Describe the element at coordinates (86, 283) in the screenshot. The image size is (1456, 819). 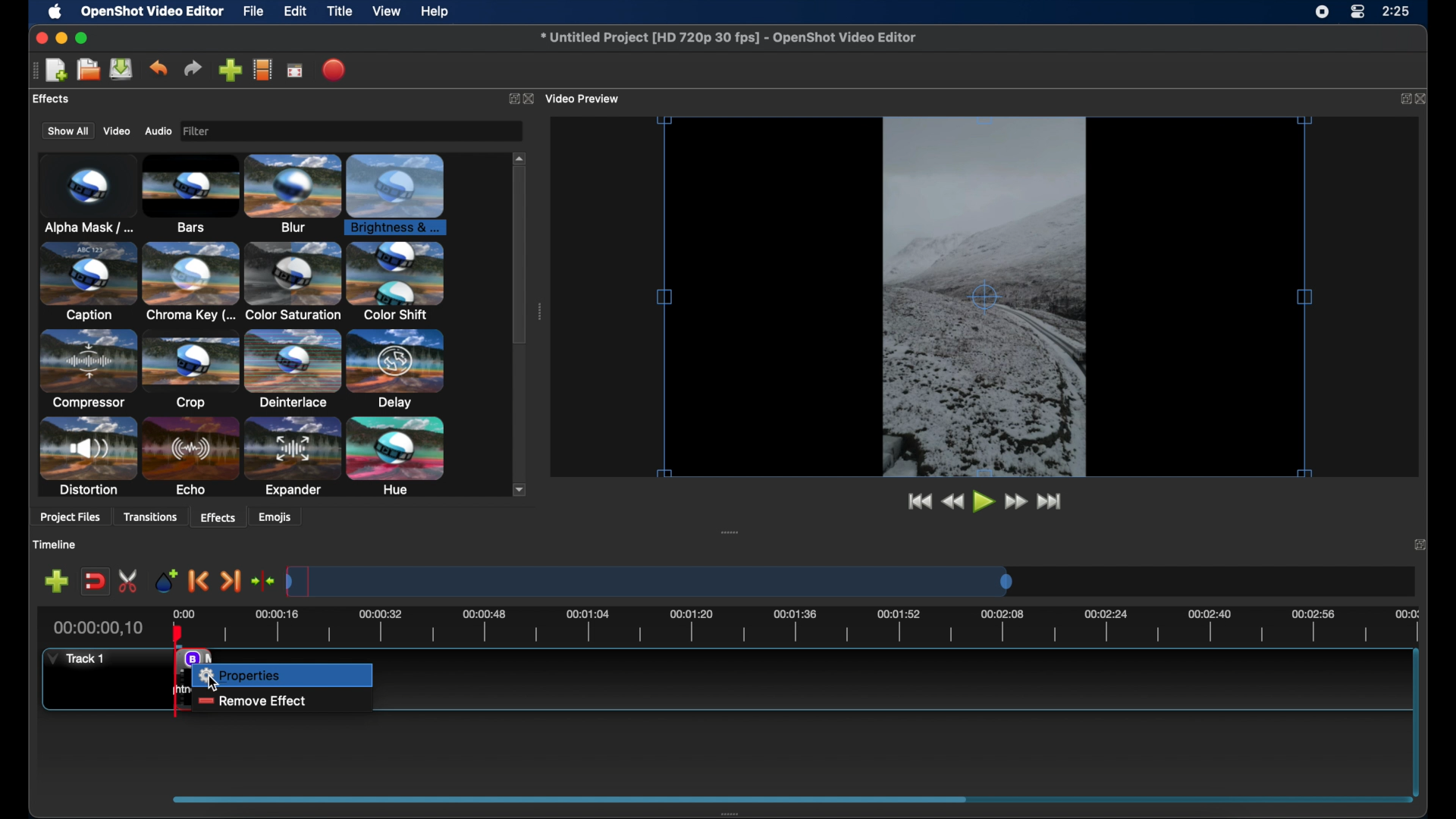
I see `caption` at that location.